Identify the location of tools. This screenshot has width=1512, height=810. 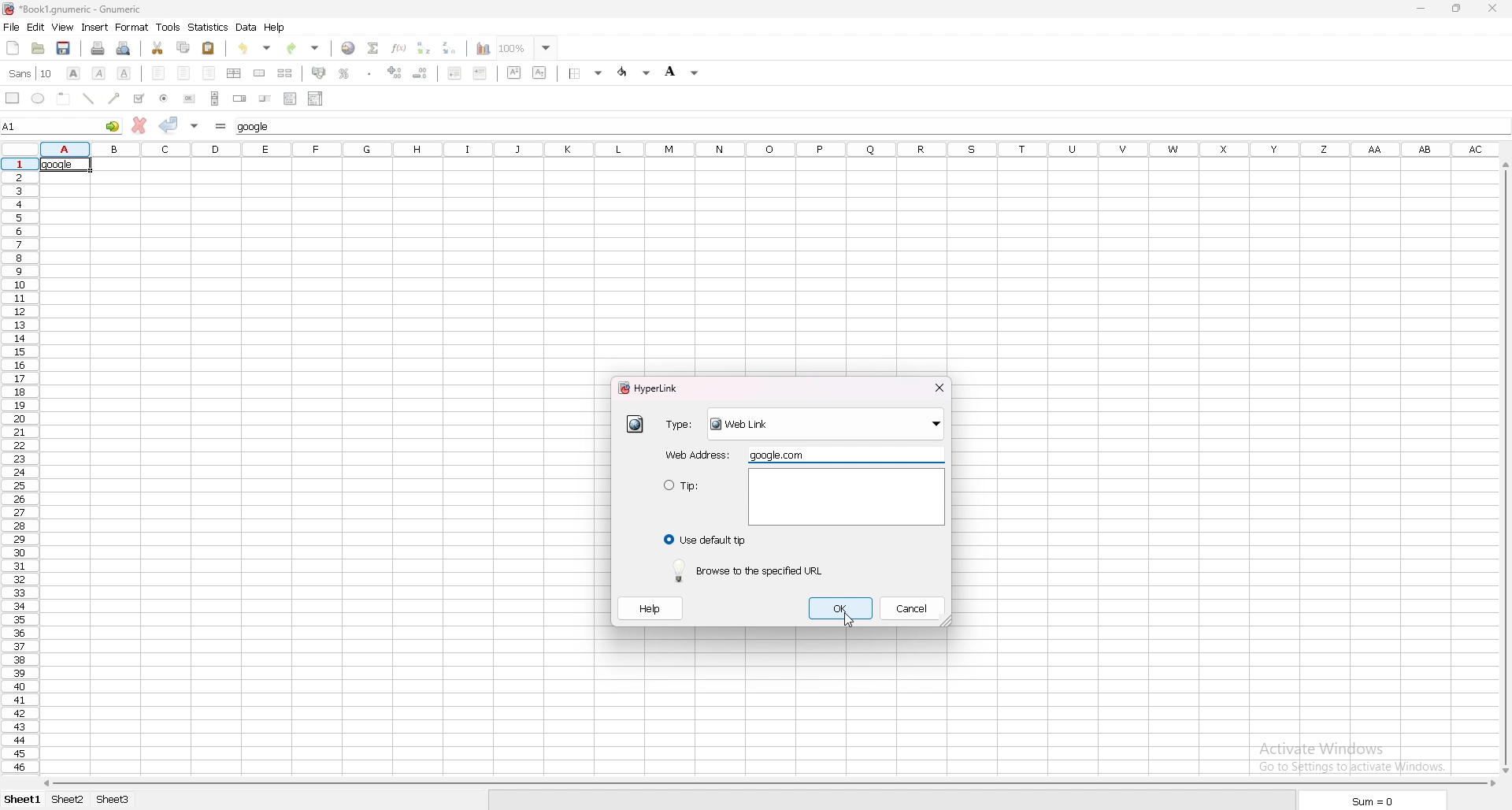
(168, 27).